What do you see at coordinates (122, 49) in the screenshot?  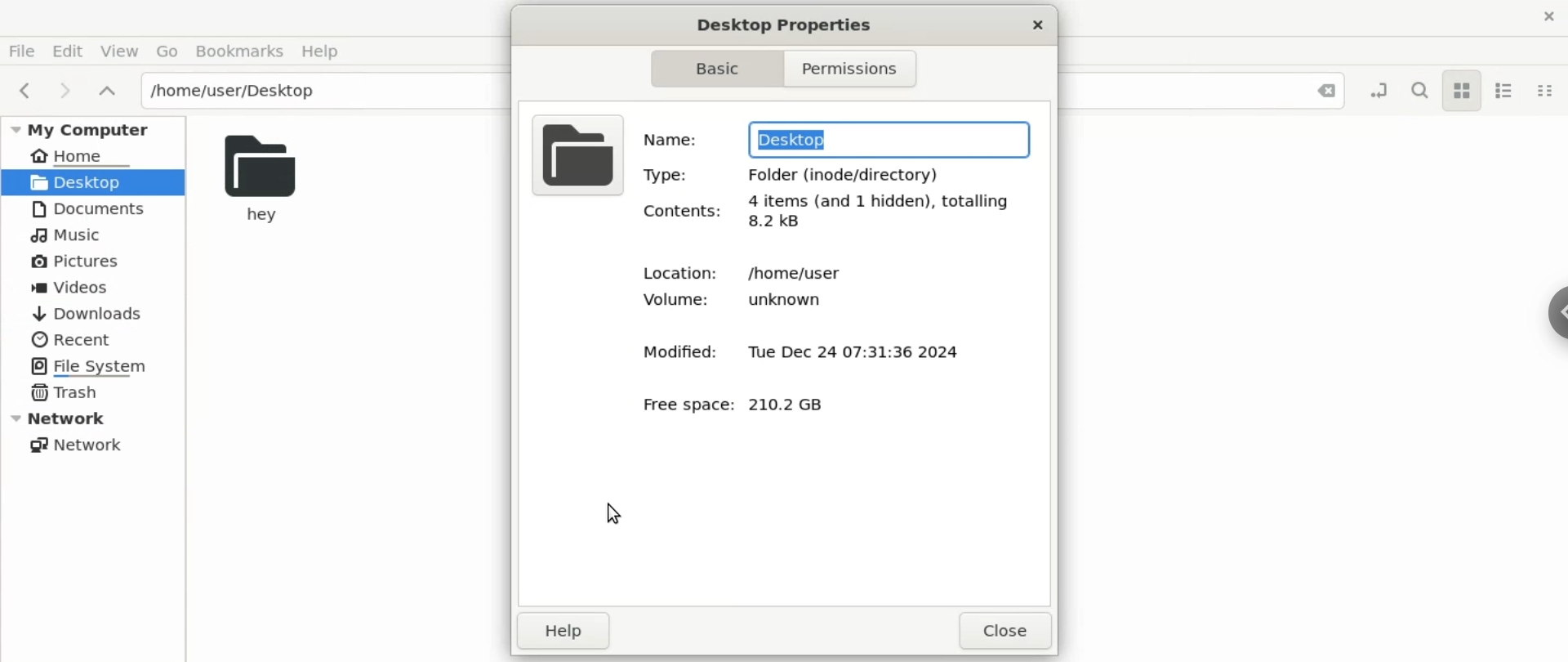 I see `view` at bounding box center [122, 49].